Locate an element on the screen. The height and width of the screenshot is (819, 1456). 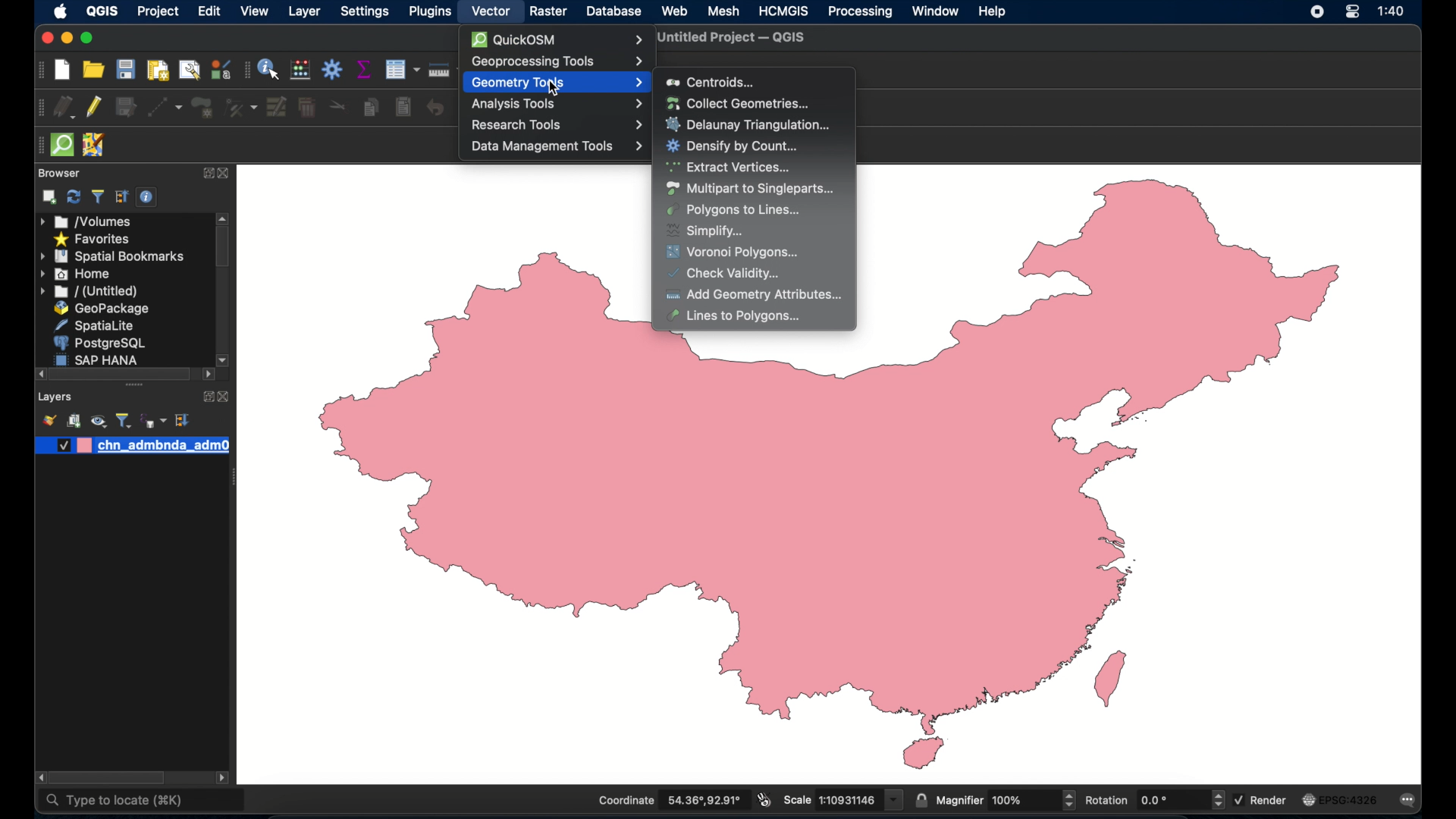
styling manager is located at coordinates (221, 69).